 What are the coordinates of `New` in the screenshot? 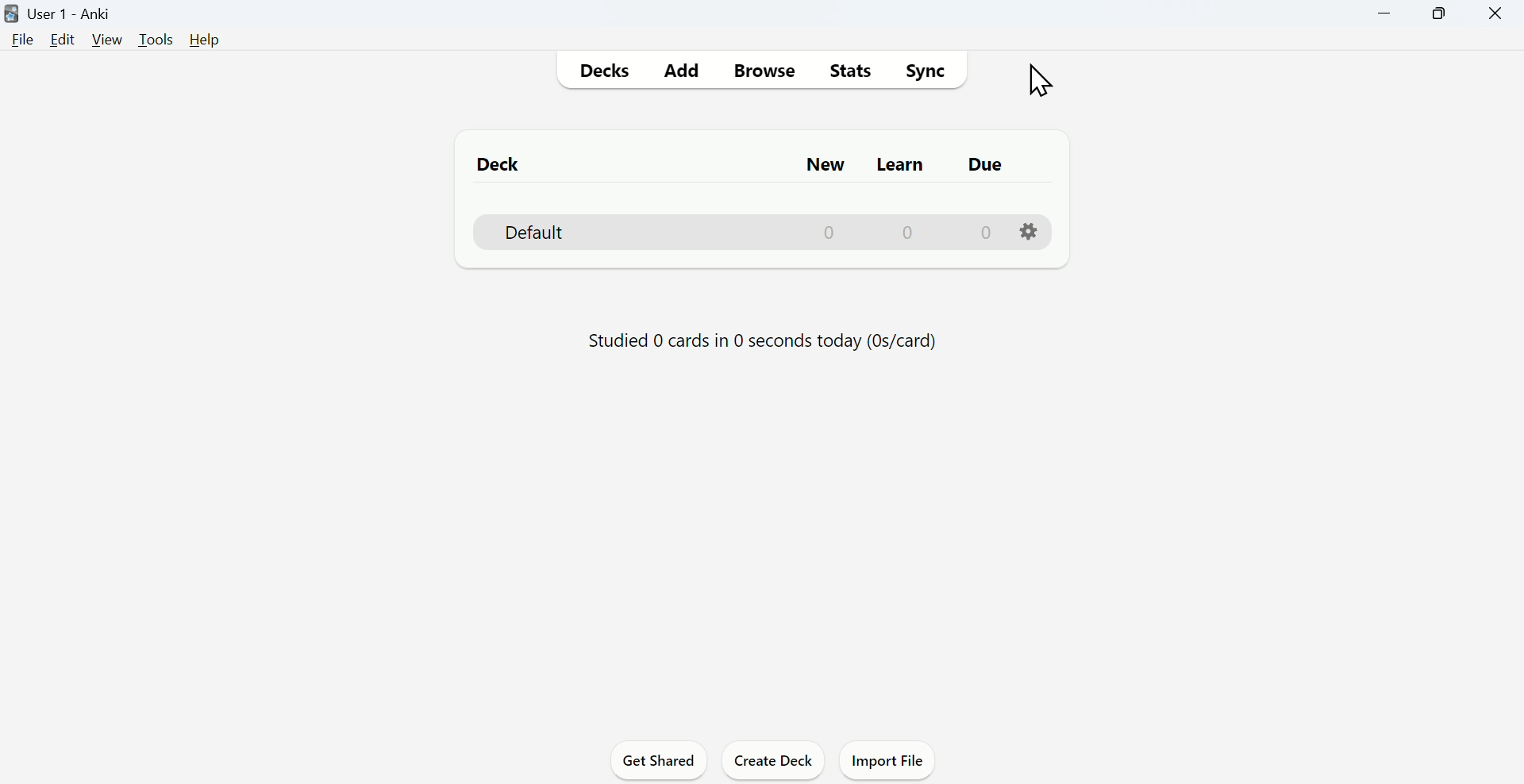 It's located at (817, 168).